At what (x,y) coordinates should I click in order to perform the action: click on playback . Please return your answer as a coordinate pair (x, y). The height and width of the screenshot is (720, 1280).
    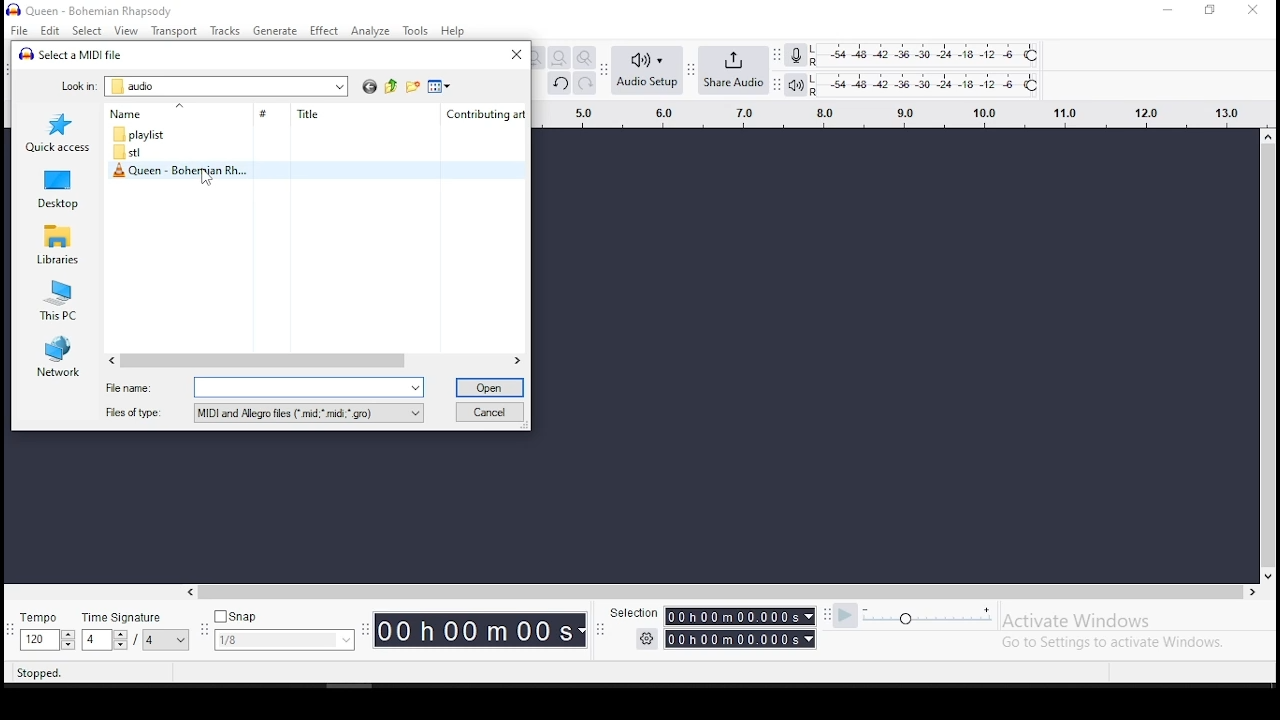
    Looking at the image, I should click on (797, 86).